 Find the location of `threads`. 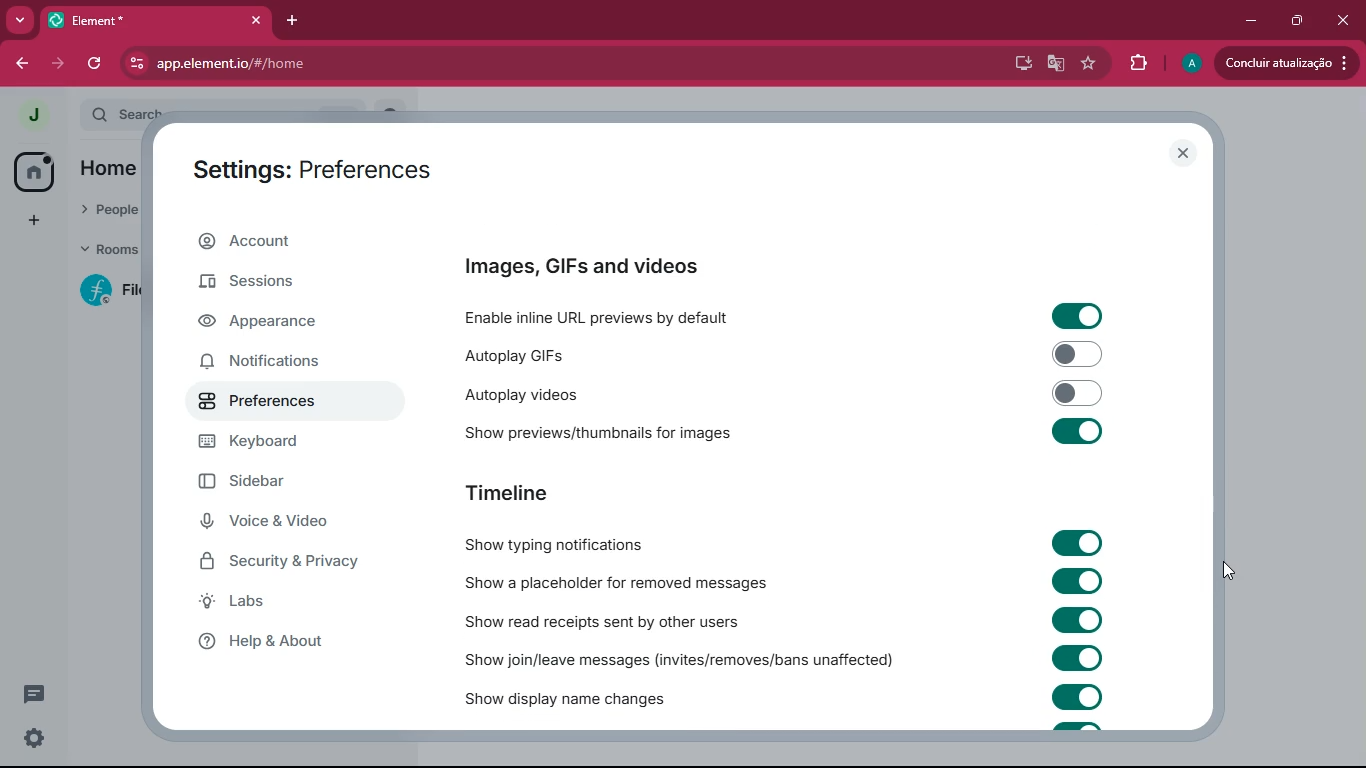

threads is located at coordinates (34, 694).